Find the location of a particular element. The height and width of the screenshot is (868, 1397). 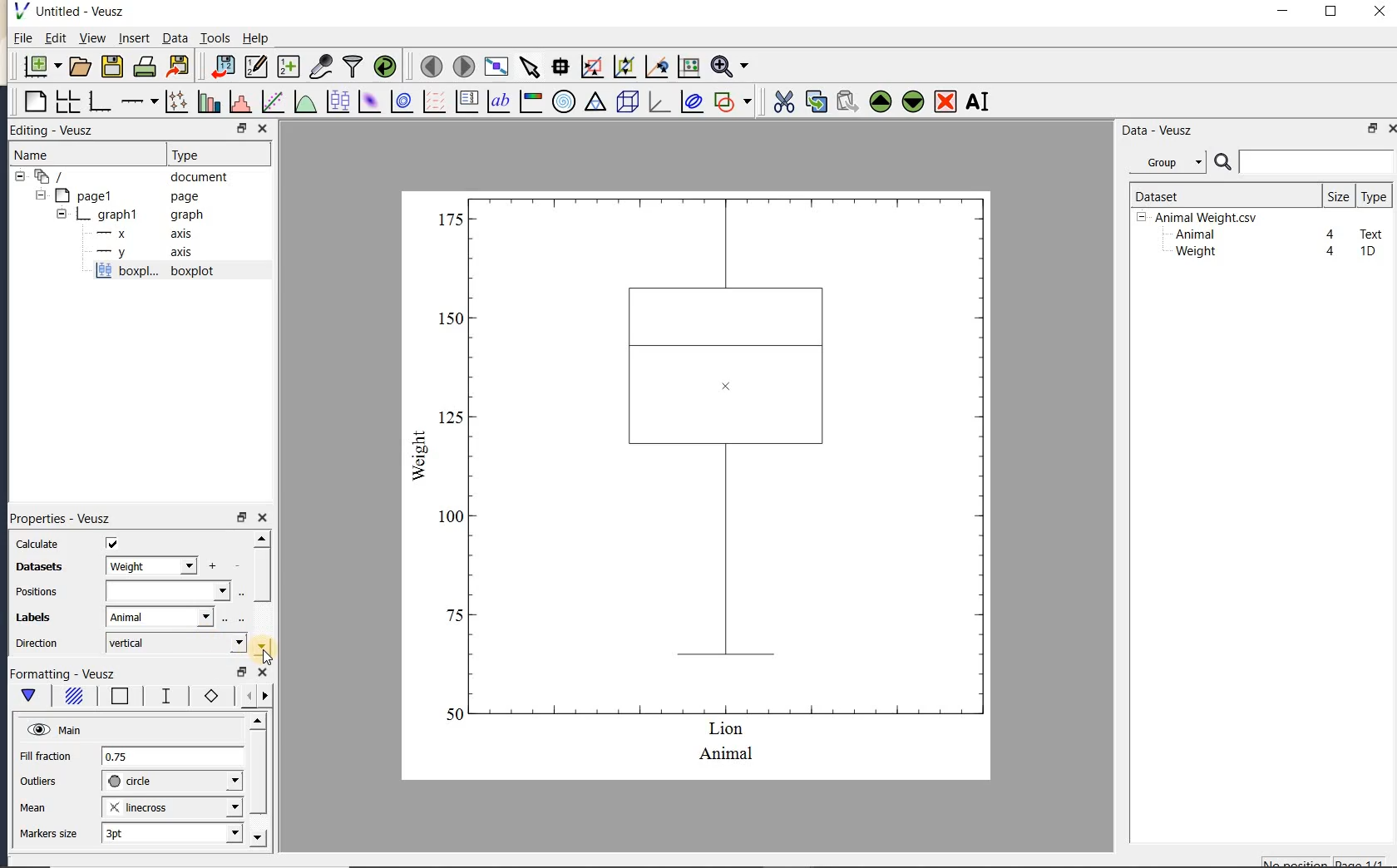

box border is located at coordinates (116, 698).